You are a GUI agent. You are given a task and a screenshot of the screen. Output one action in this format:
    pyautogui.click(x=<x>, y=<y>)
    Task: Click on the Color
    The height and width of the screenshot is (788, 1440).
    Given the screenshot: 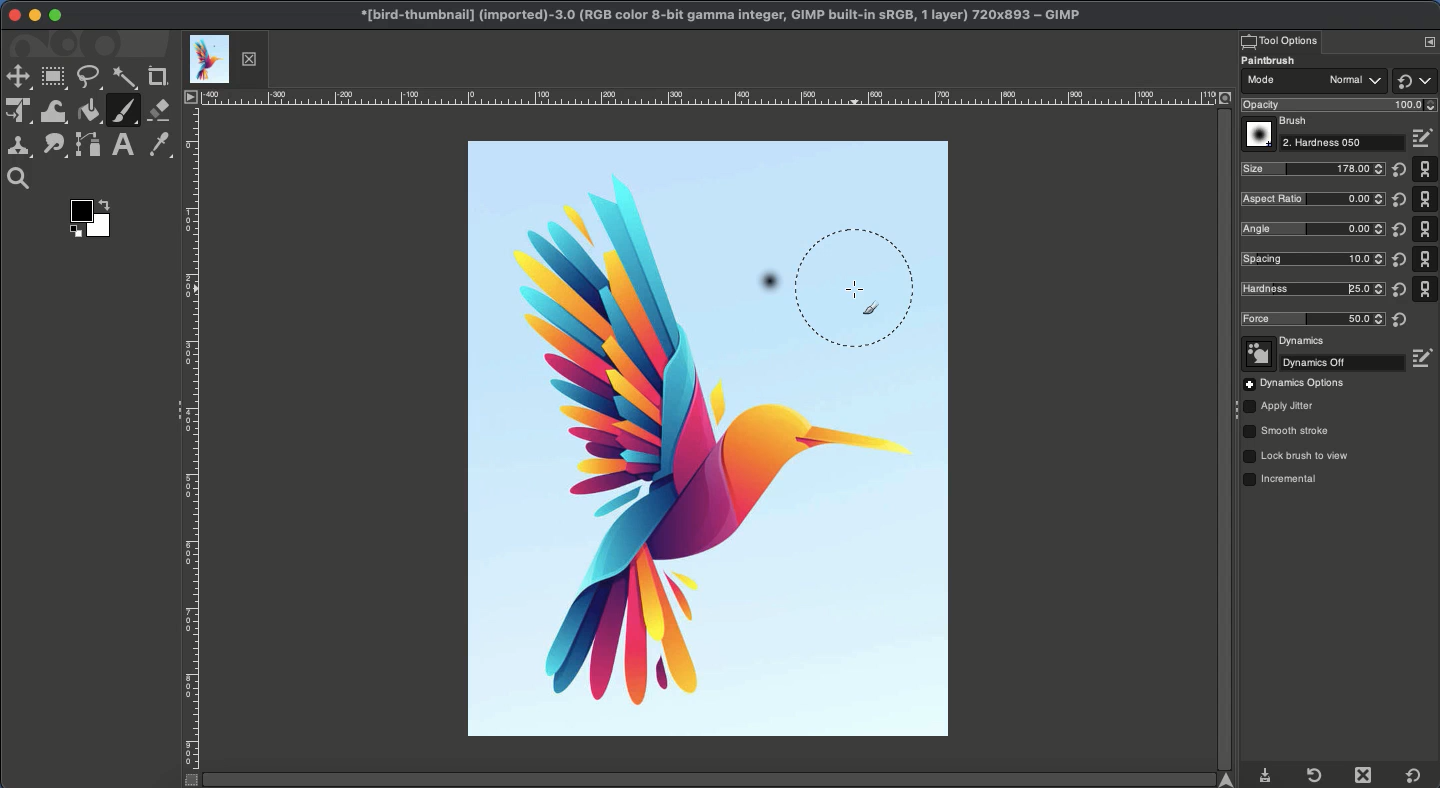 What is the action you would take?
    pyautogui.click(x=95, y=218)
    